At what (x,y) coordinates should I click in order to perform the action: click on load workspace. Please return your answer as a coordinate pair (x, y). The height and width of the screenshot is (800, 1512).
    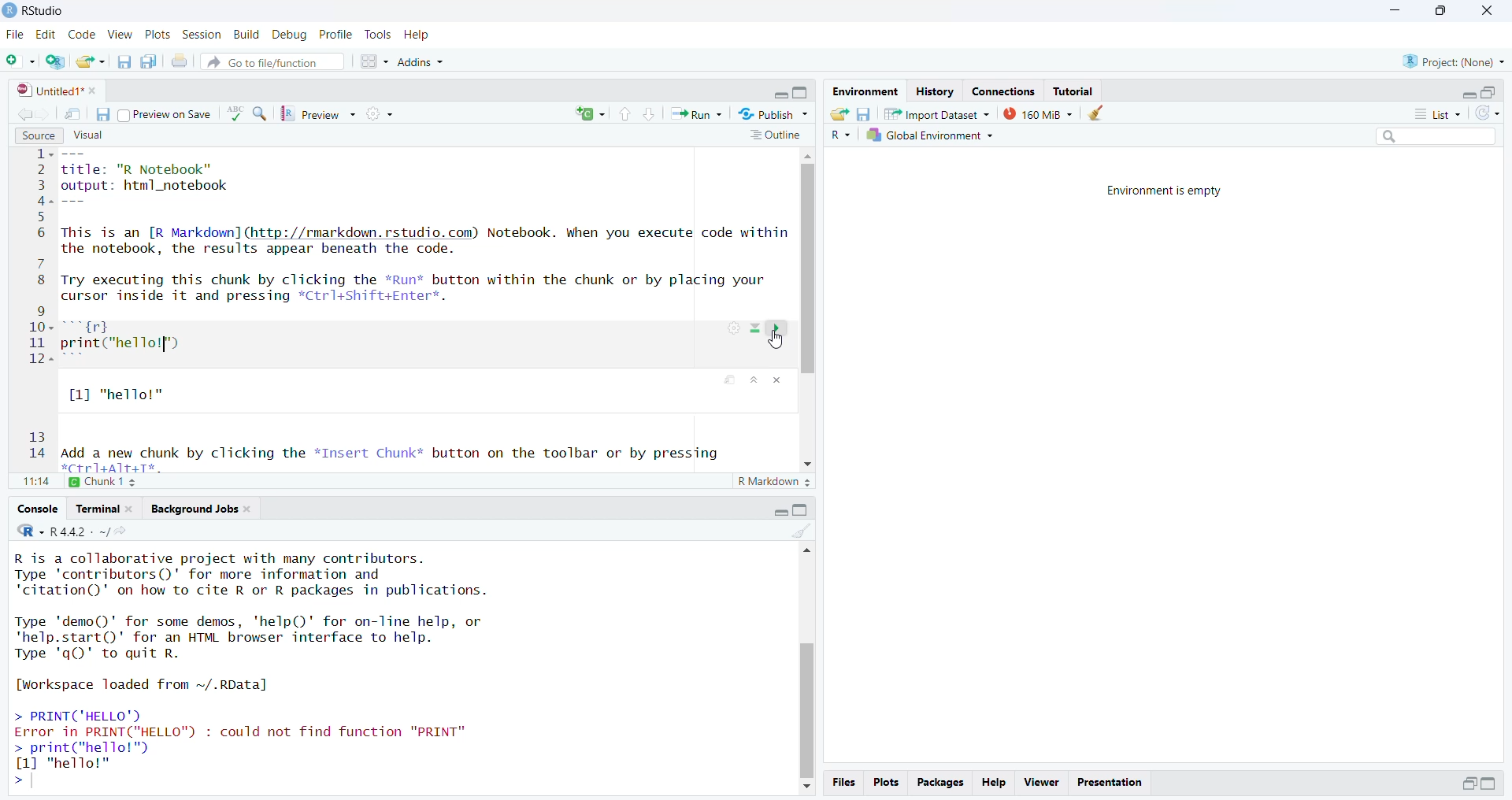
    Looking at the image, I should click on (839, 113).